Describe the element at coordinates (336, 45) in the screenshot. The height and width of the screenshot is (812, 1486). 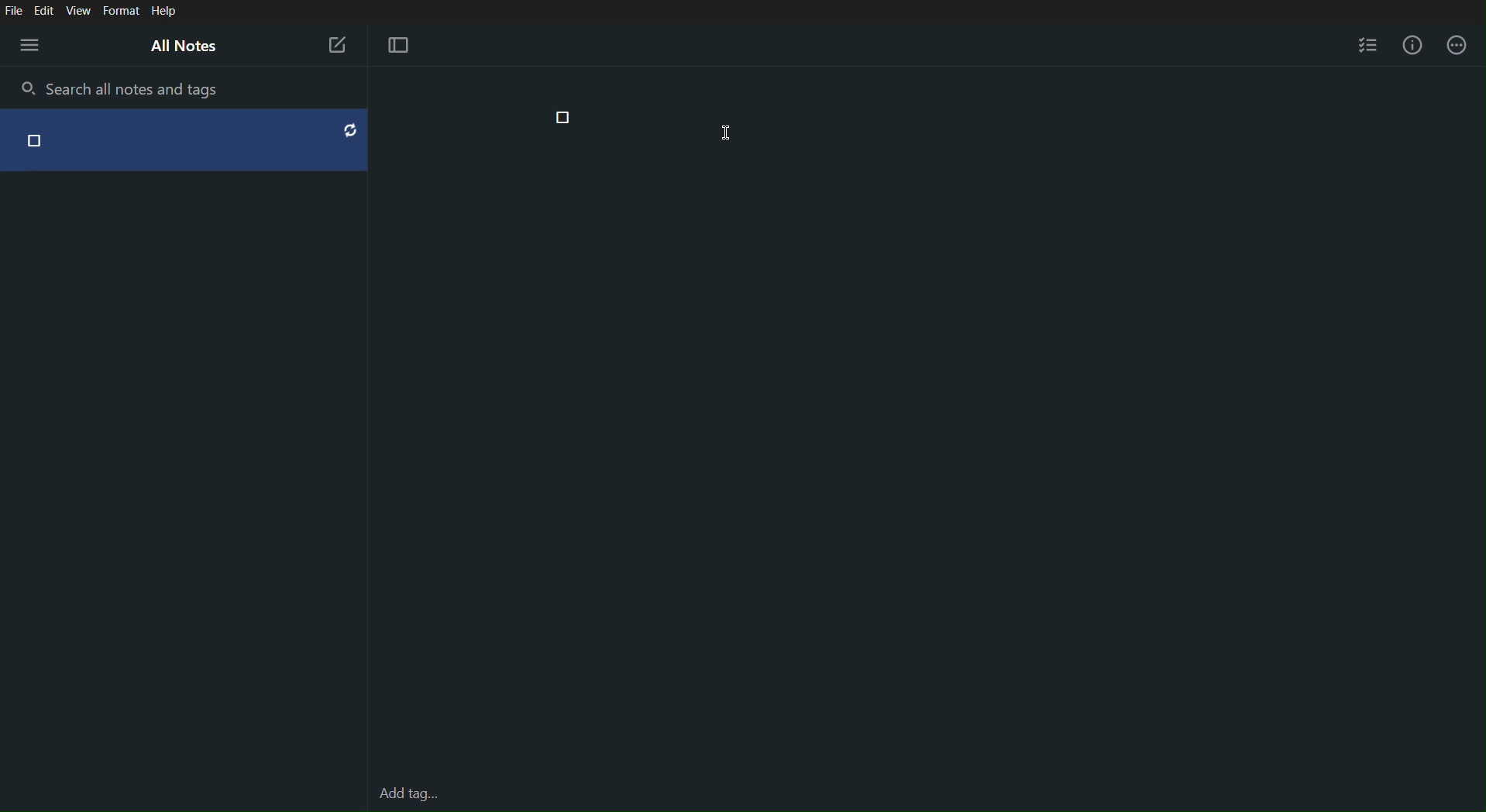
I see `New Note` at that location.